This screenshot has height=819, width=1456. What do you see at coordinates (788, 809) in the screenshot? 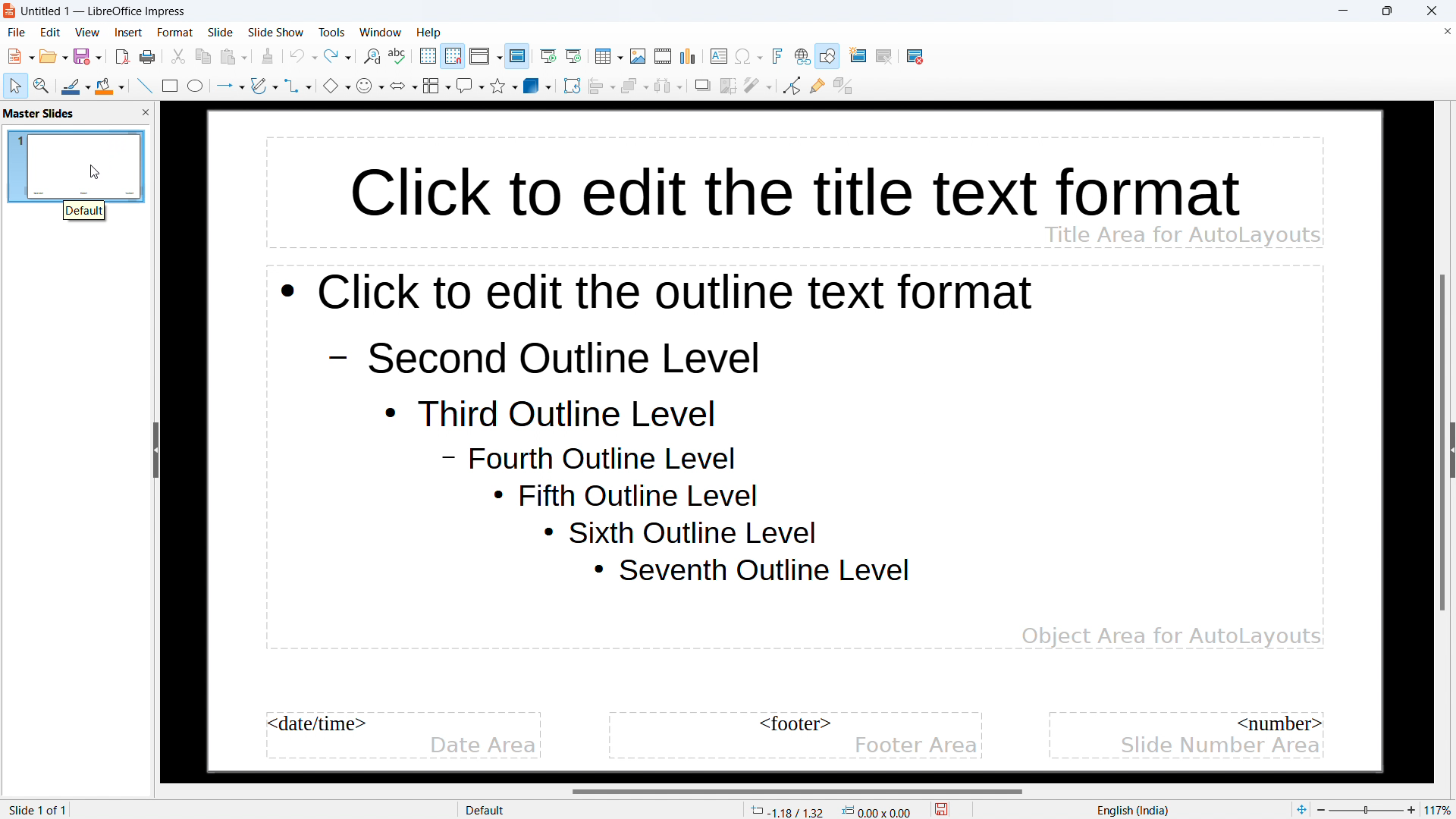
I see `cursor coordinates` at bounding box center [788, 809].